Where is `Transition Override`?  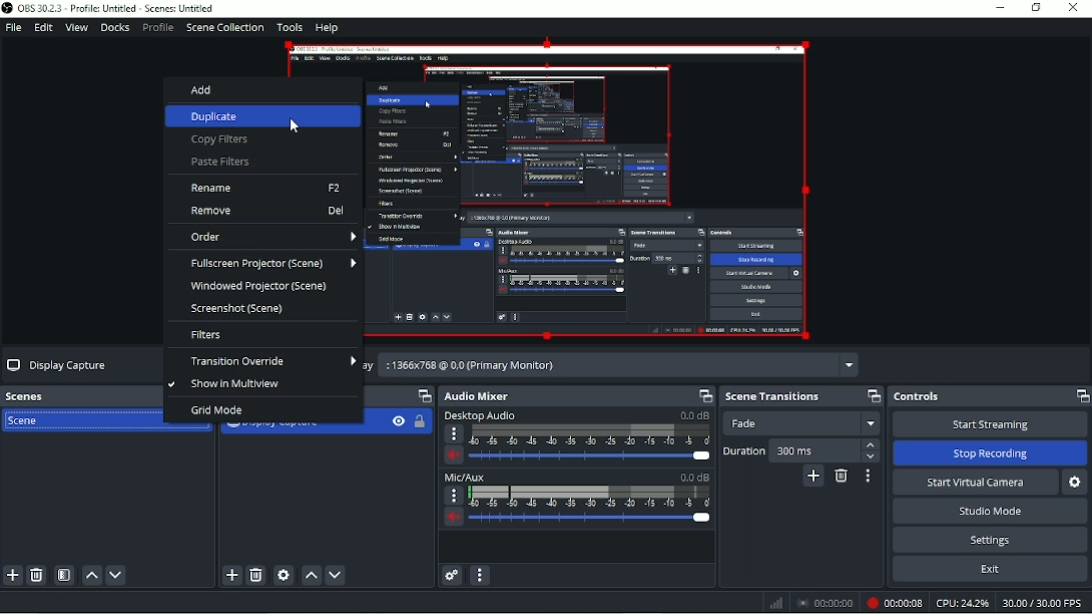 Transition Override is located at coordinates (273, 360).